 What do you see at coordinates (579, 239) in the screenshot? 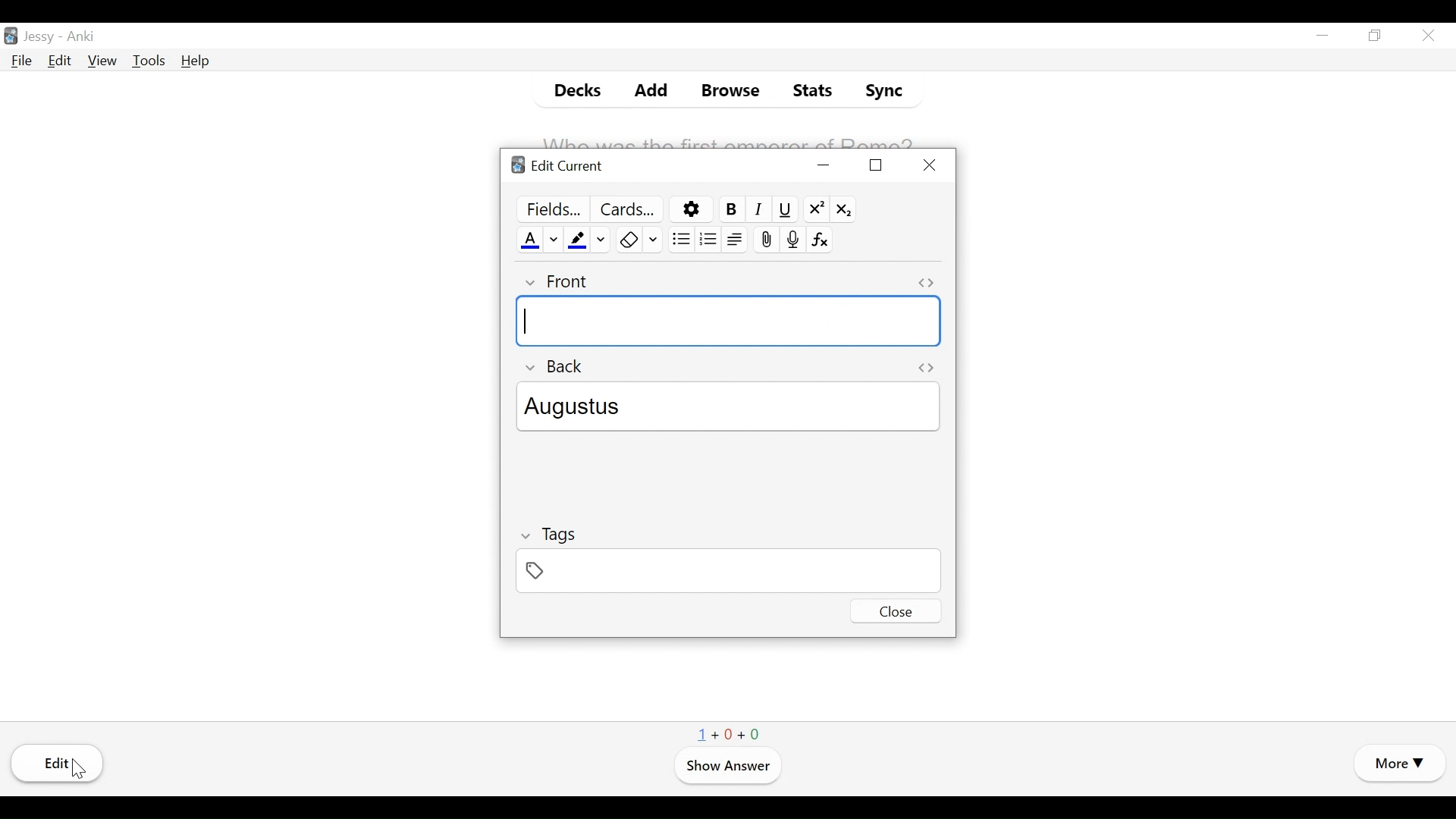
I see `Text Highlight color ` at bounding box center [579, 239].